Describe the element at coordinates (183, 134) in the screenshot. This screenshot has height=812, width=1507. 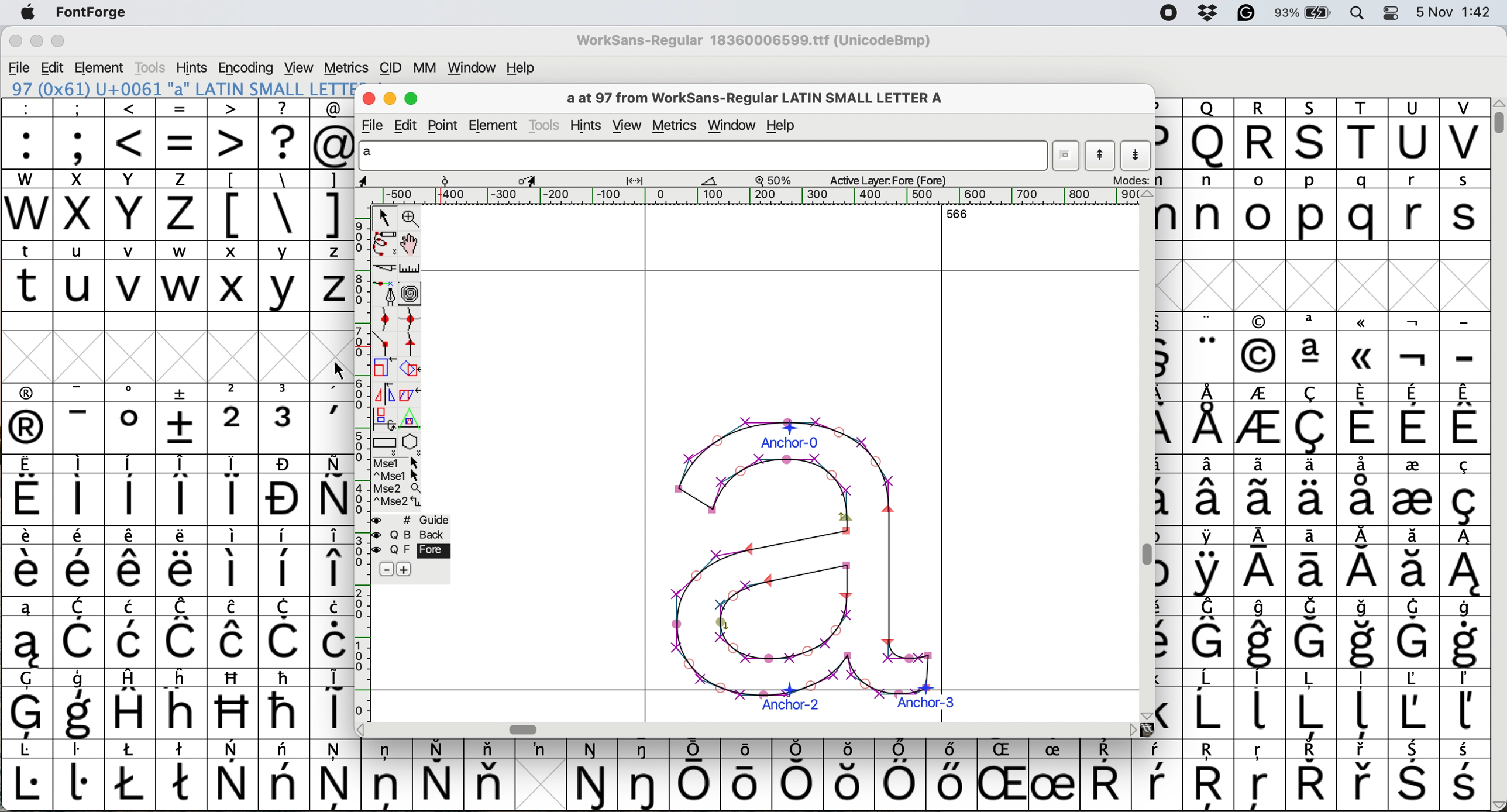
I see `=` at that location.